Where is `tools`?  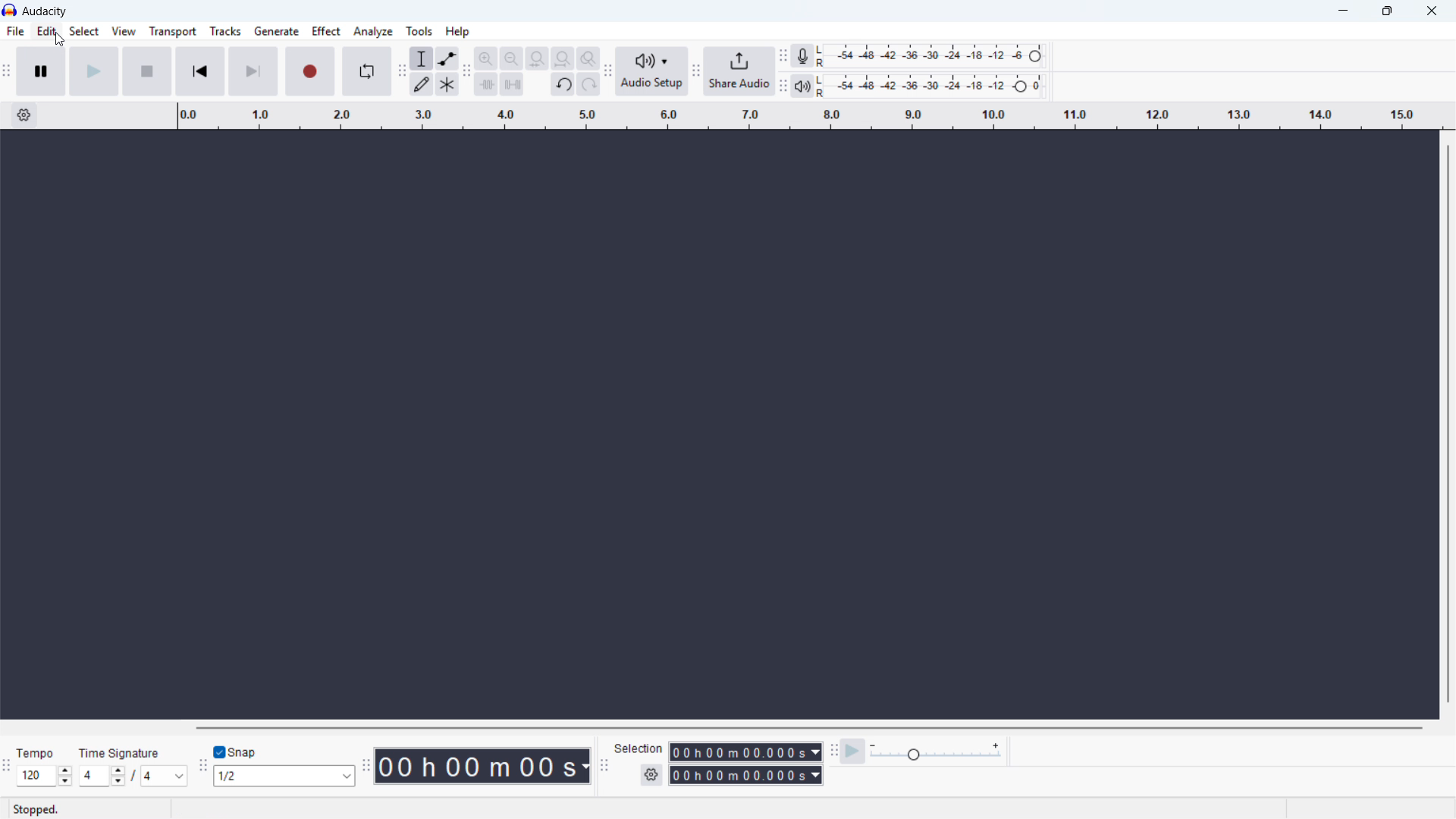
tools is located at coordinates (419, 31).